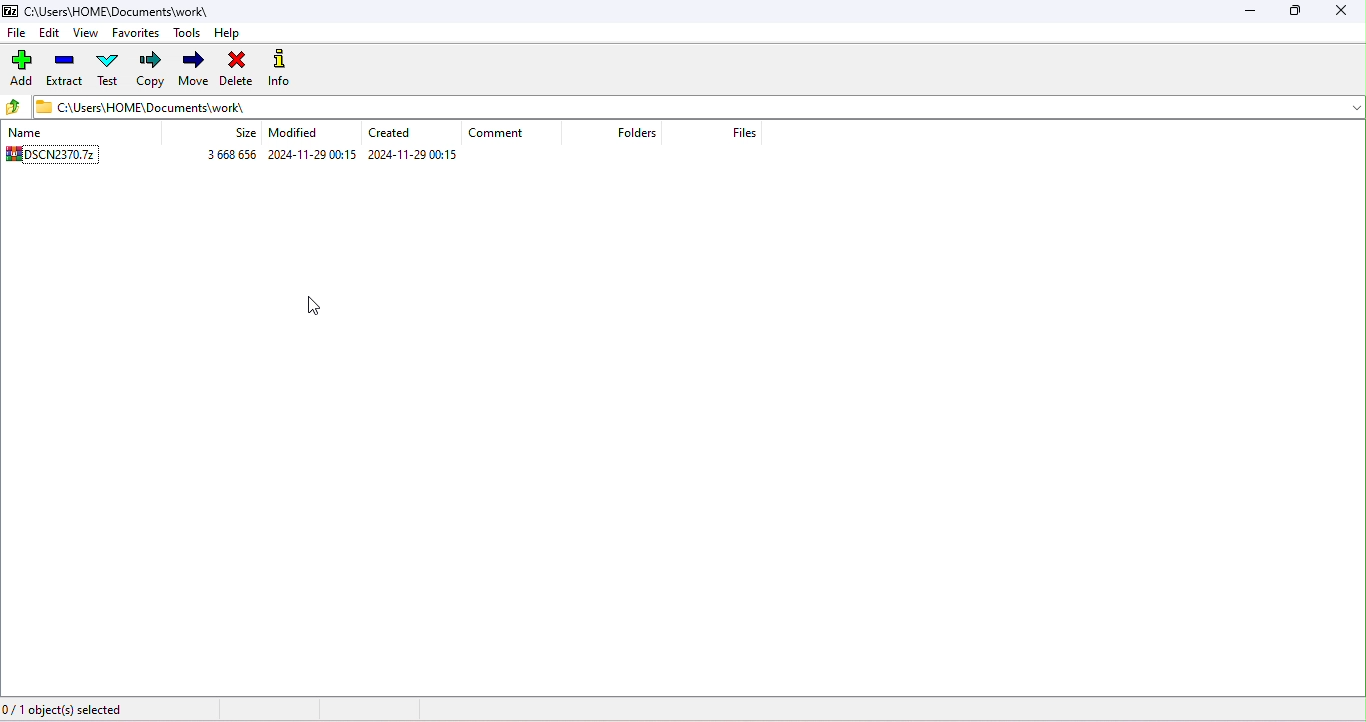  Describe the element at coordinates (152, 68) in the screenshot. I see `copy` at that location.